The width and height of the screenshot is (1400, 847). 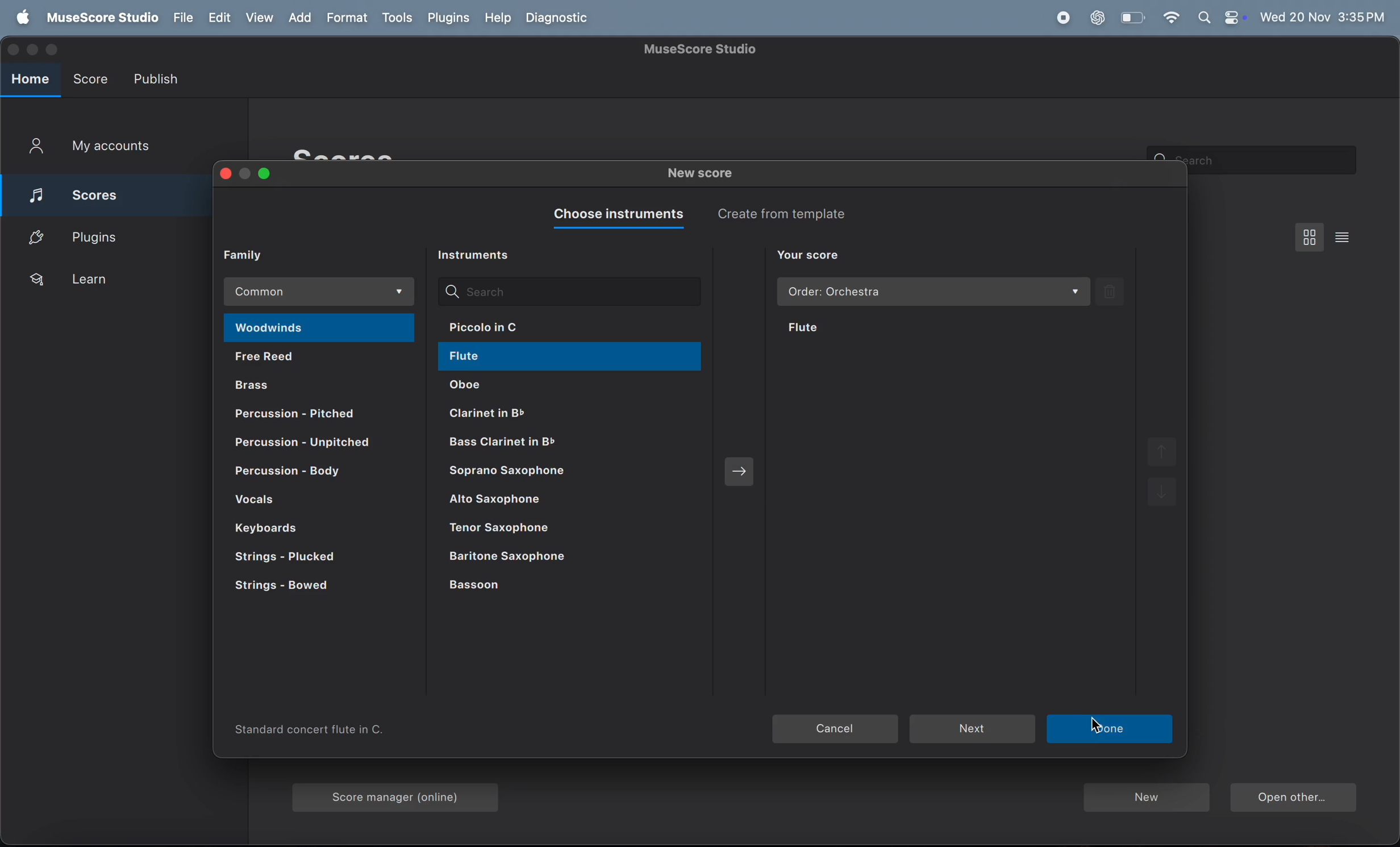 What do you see at coordinates (1111, 291) in the screenshot?
I see `delete` at bounding box center [1111, 291].